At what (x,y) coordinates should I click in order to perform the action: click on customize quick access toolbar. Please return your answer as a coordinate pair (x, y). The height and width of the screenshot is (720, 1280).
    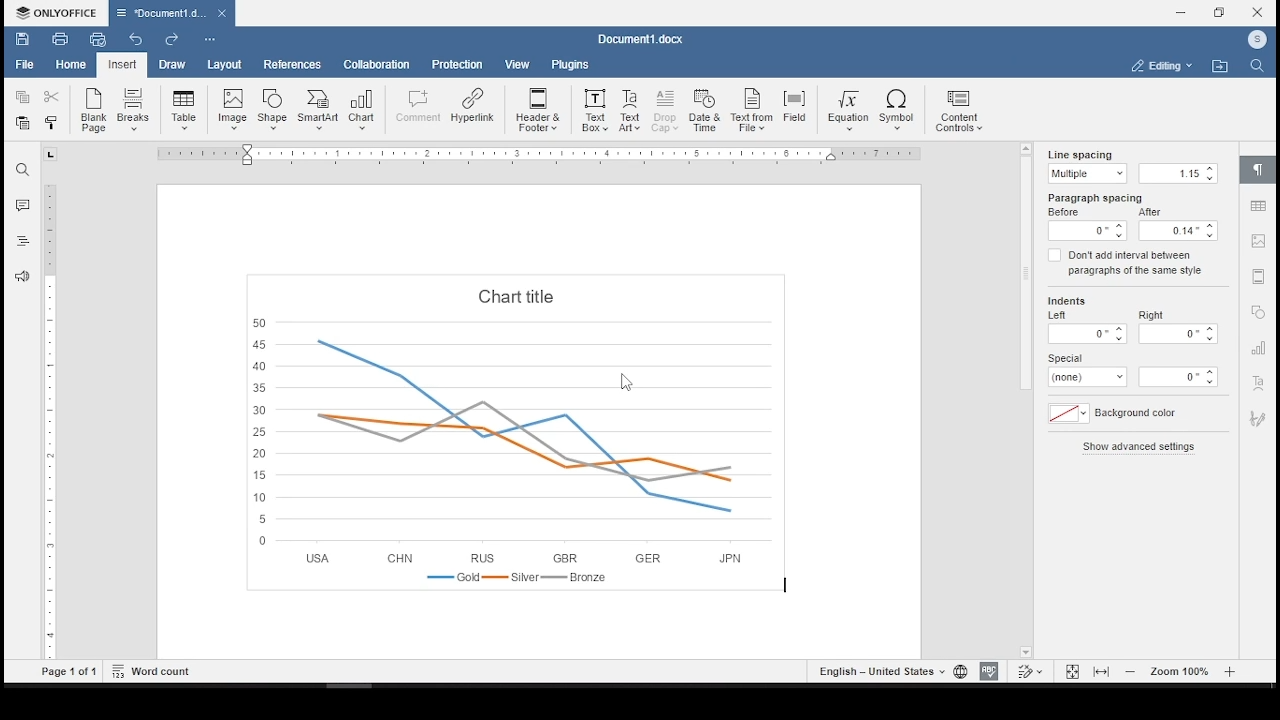
    Looking at the image, I should click on (211, 40).